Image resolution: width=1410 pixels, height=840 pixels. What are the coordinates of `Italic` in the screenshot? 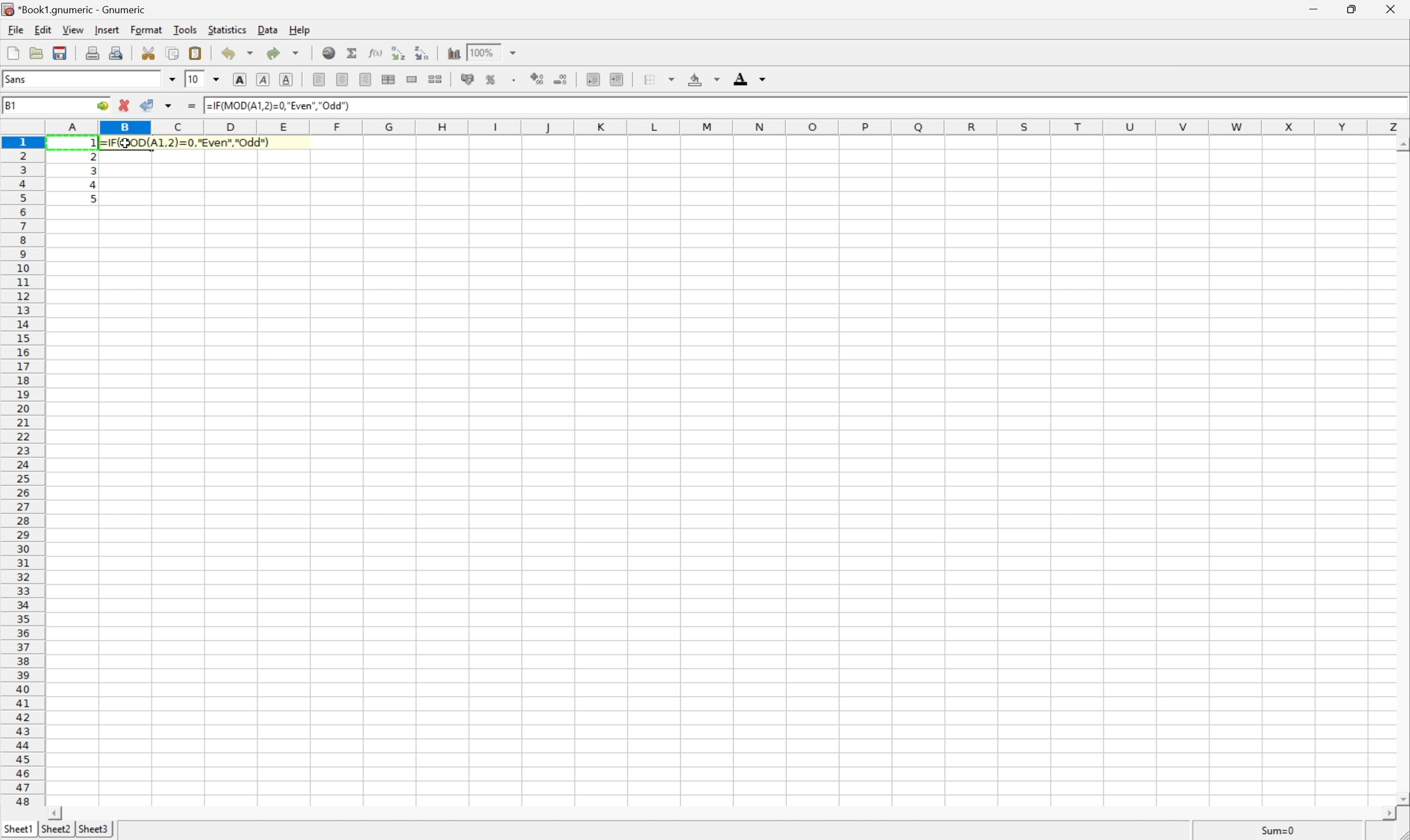 It's located at (261, 80).